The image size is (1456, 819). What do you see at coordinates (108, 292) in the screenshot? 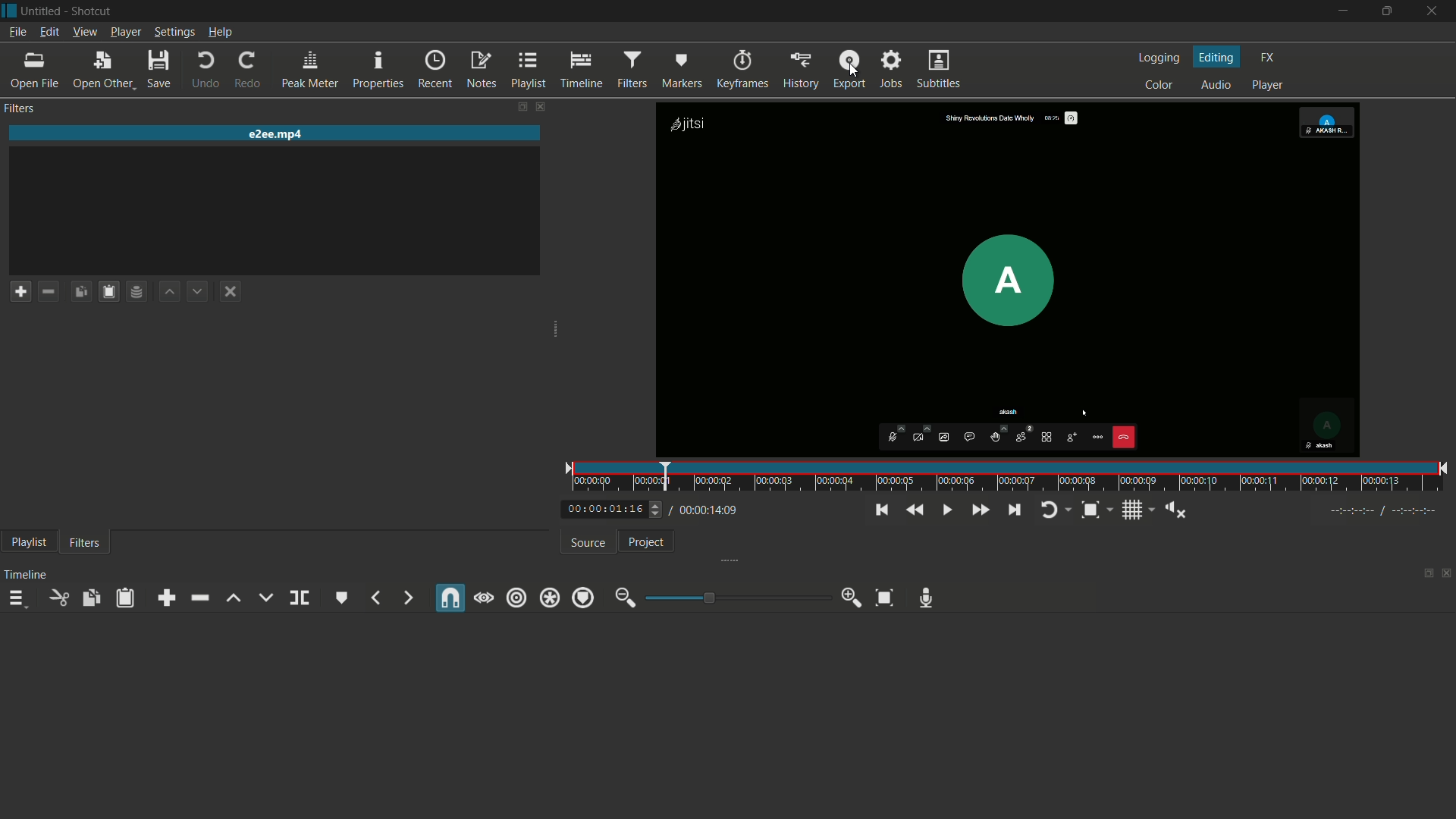
I see `paste filters` at bounding box center [108, 292].